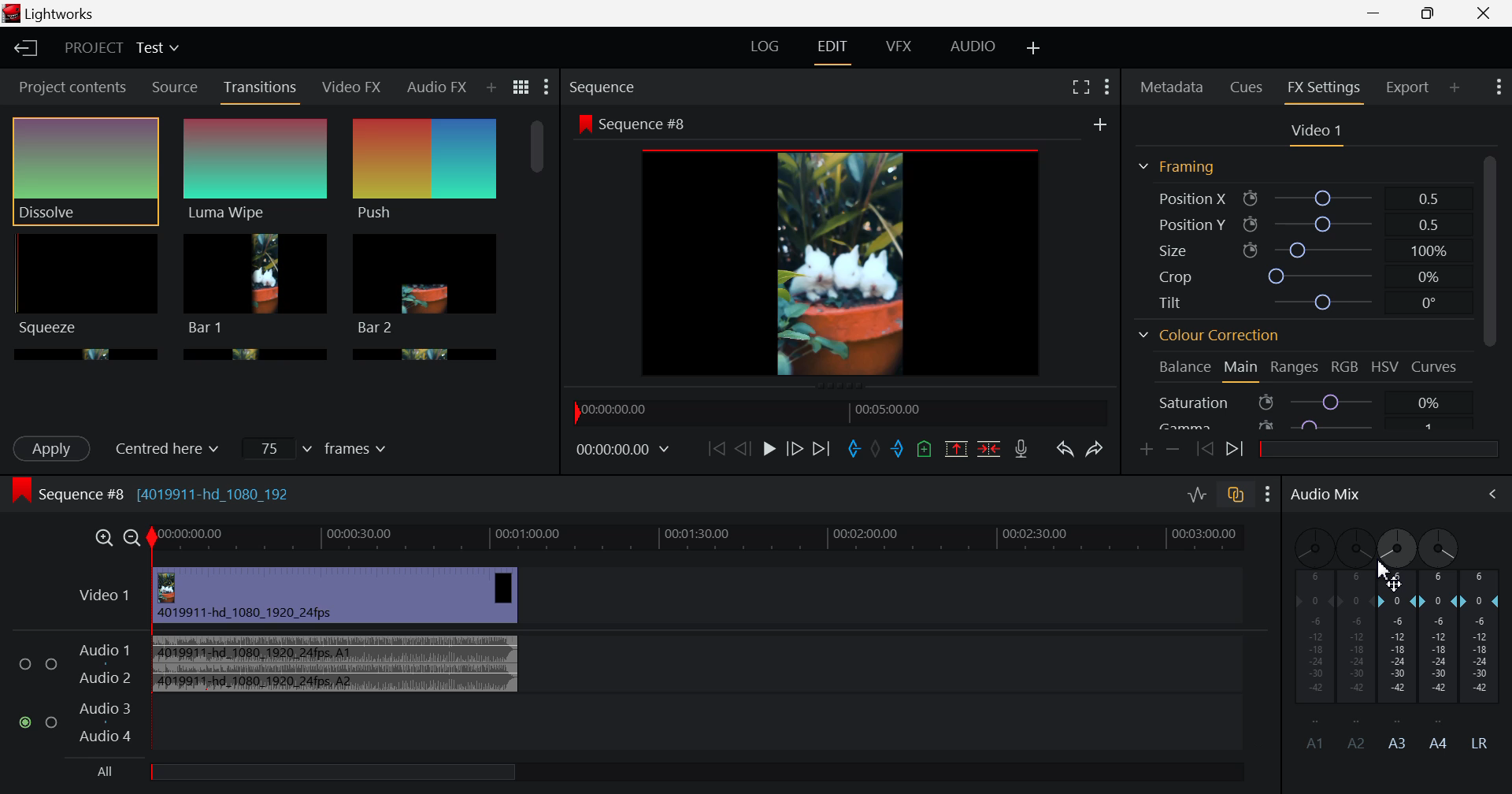 Image resolution: width=1512 pixels, height=794 pixels. I want to click on A3 Channel Decibel Level, so click(1398, 662).